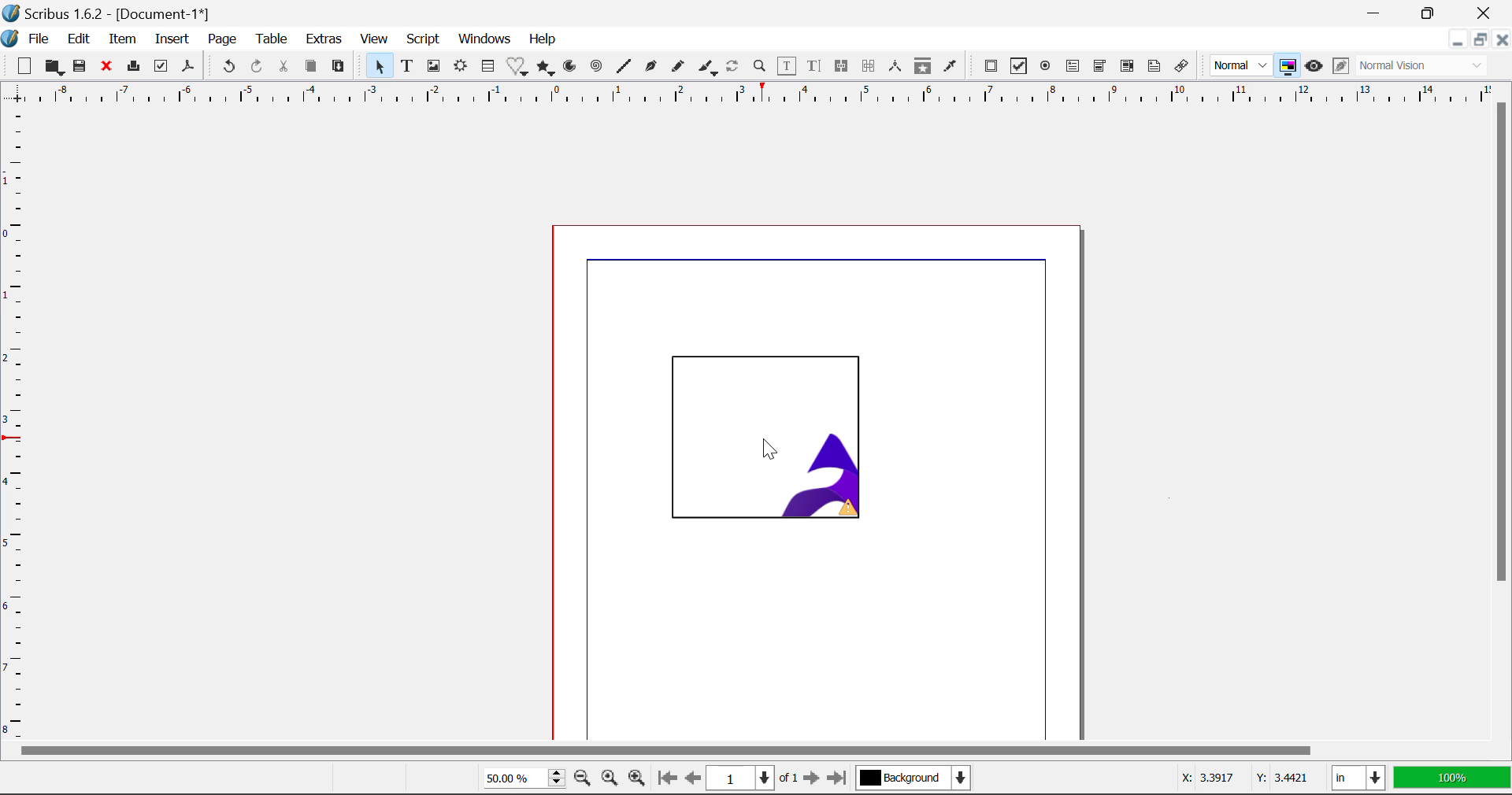 Image resolution: width=1512 pixels, height=795 pixels. What do you see at coordinates (122, 39) in the screenshot?
I see `Item` at bounding box center [122, 39].